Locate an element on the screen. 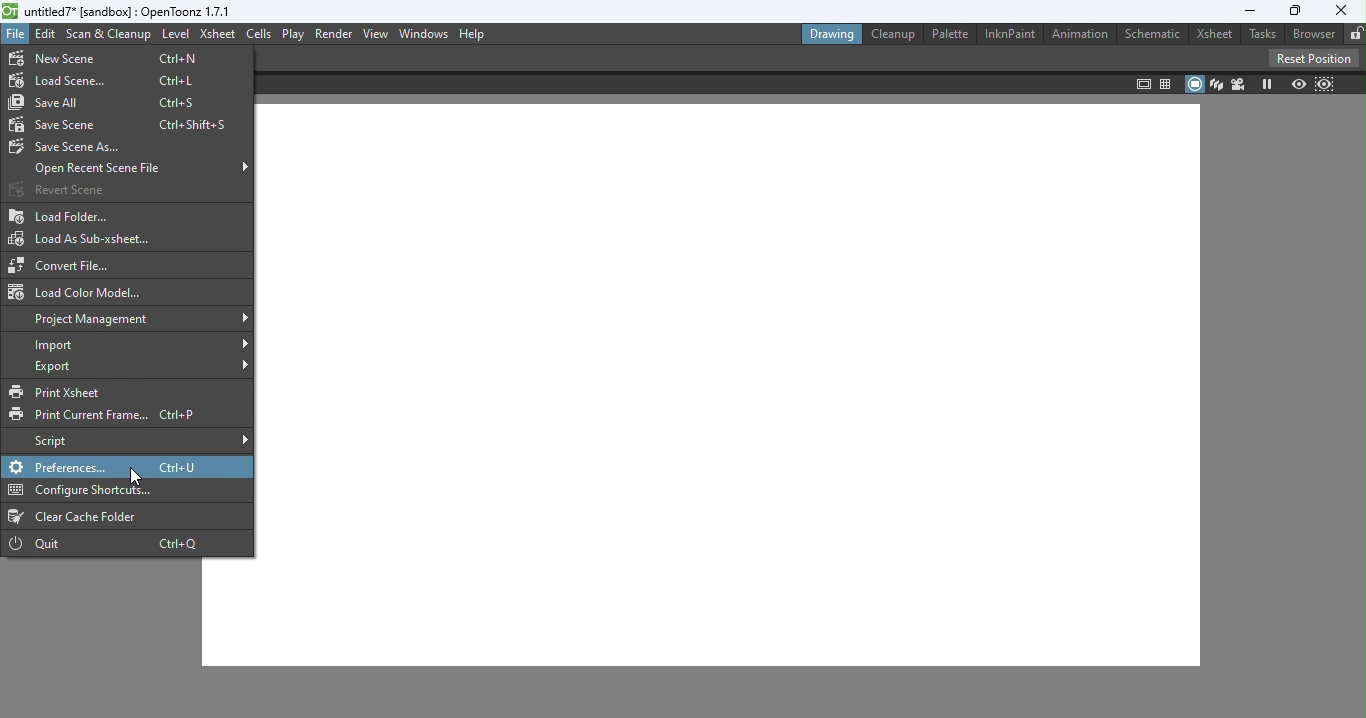 This screenshot has height=718, width=1366. Camera view is located at coordinates (1236, 84).